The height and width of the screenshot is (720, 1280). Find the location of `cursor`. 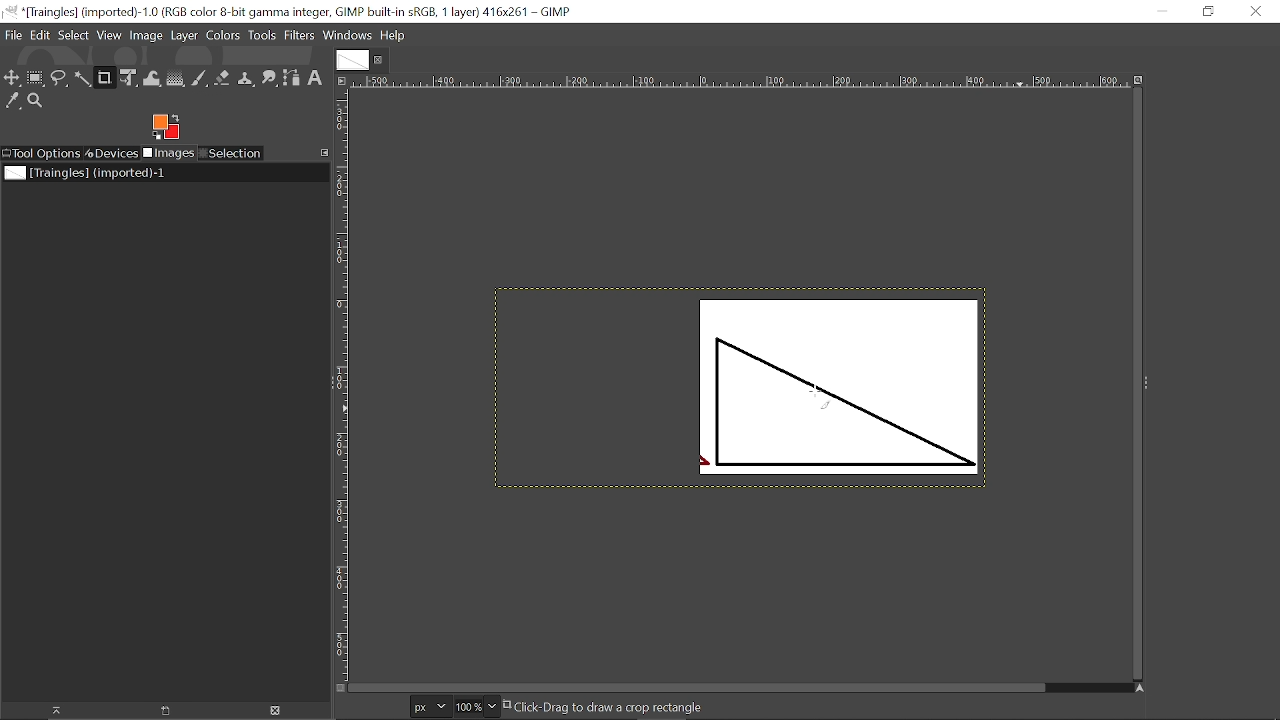

cursor is located at coordinates (820, 395).